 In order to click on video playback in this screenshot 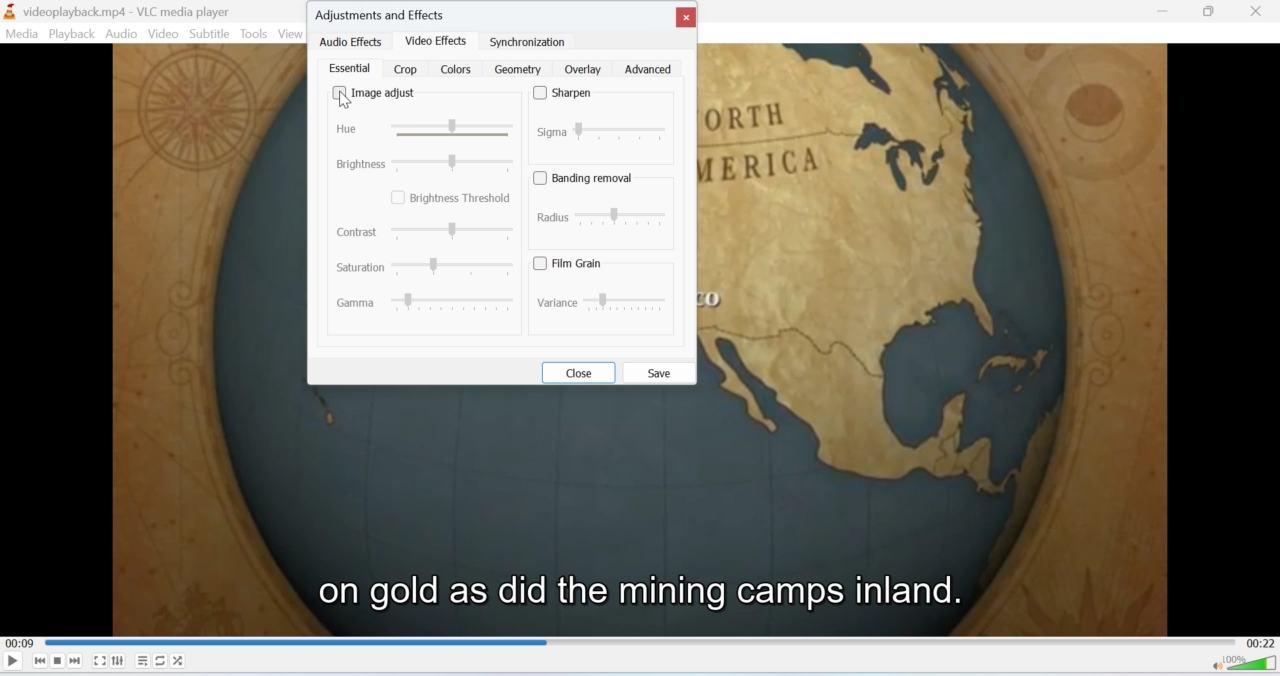, I will do `click(639, 510)`.